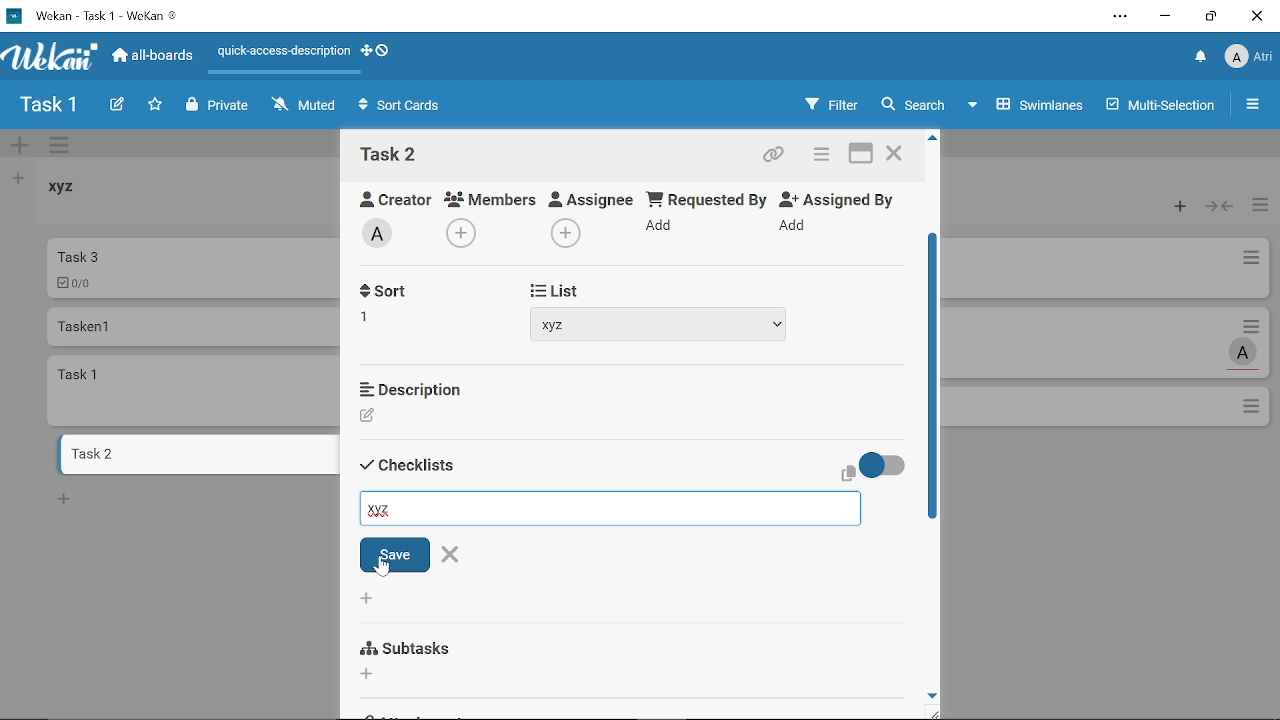 Image resolution: width=1280 pixels, height=720 pixels. I want to click on Card name, so click(389, 154).